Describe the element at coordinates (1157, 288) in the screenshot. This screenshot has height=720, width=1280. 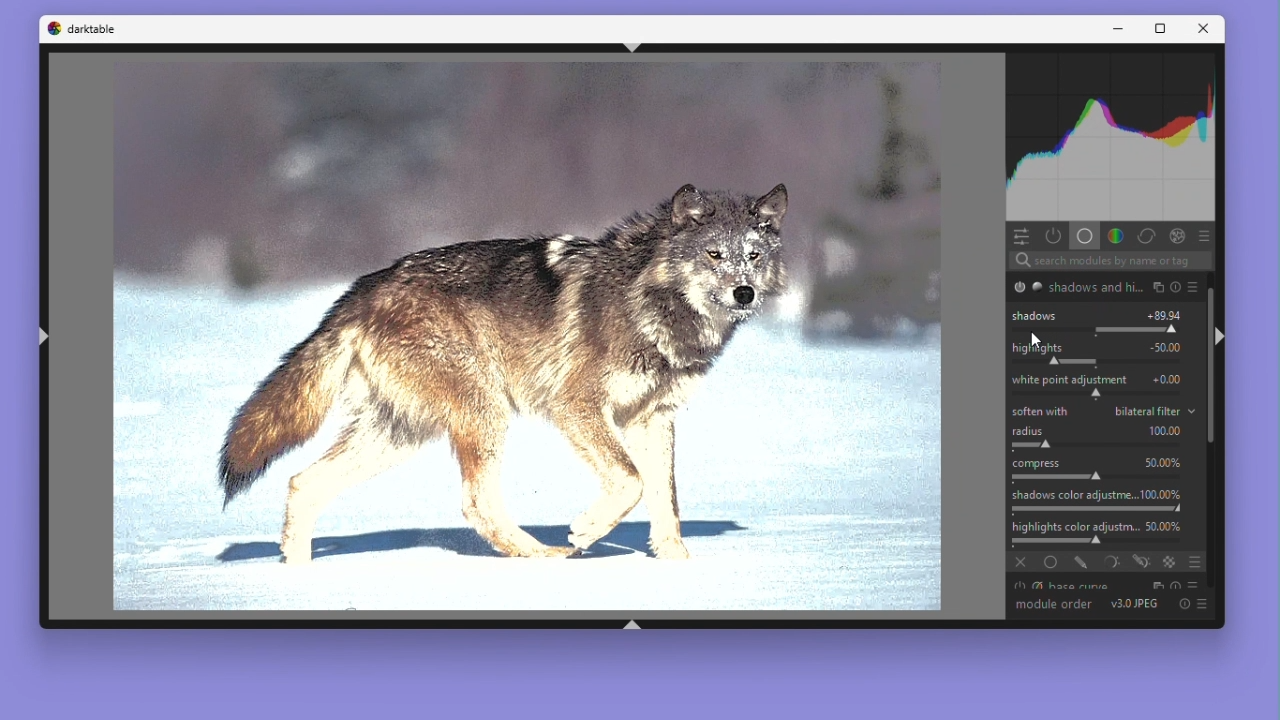
I see `multiple instance actions` at that location.